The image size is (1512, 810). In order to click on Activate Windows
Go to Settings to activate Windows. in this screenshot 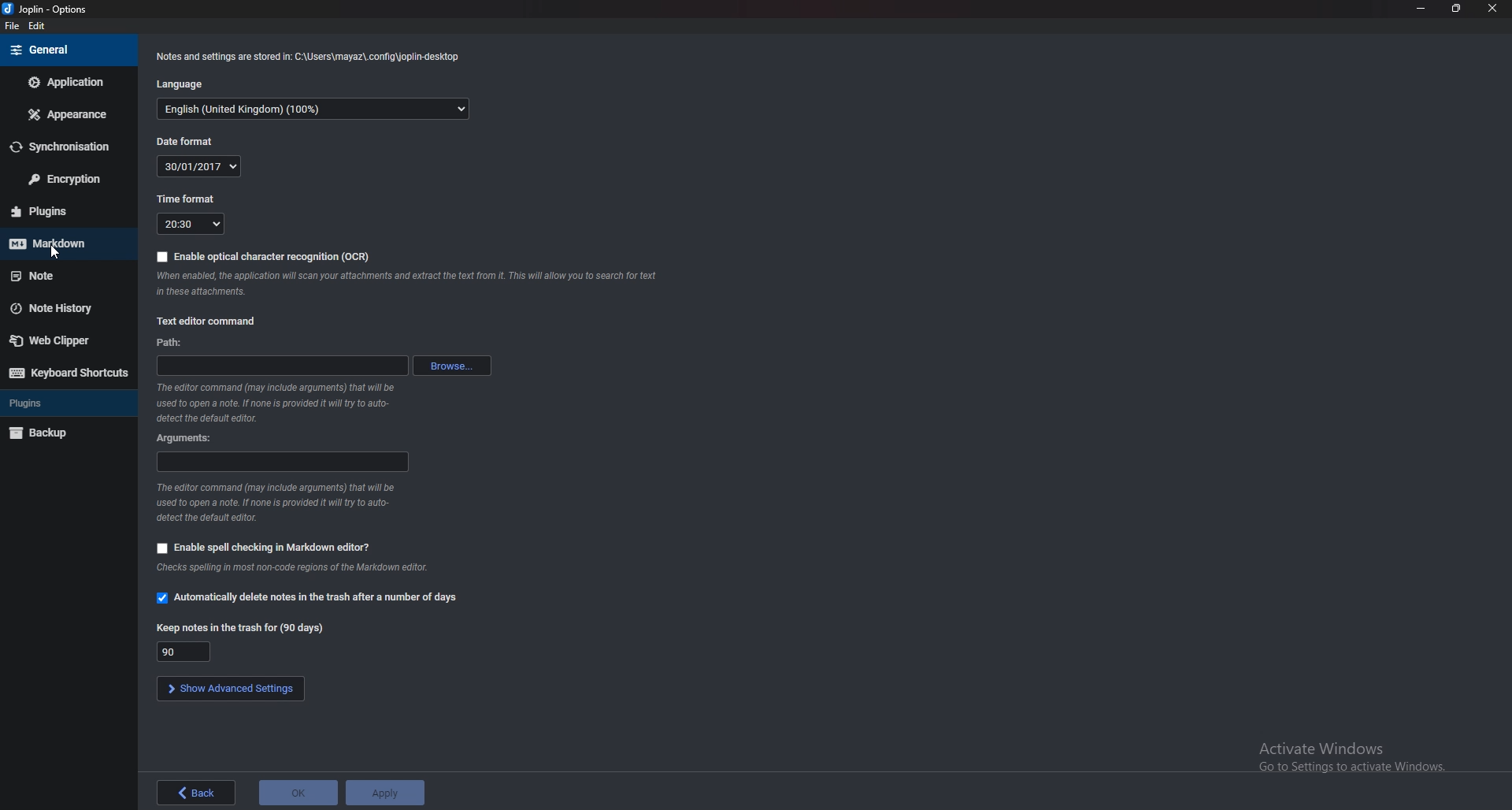, I will do `click(1346, 755)`.